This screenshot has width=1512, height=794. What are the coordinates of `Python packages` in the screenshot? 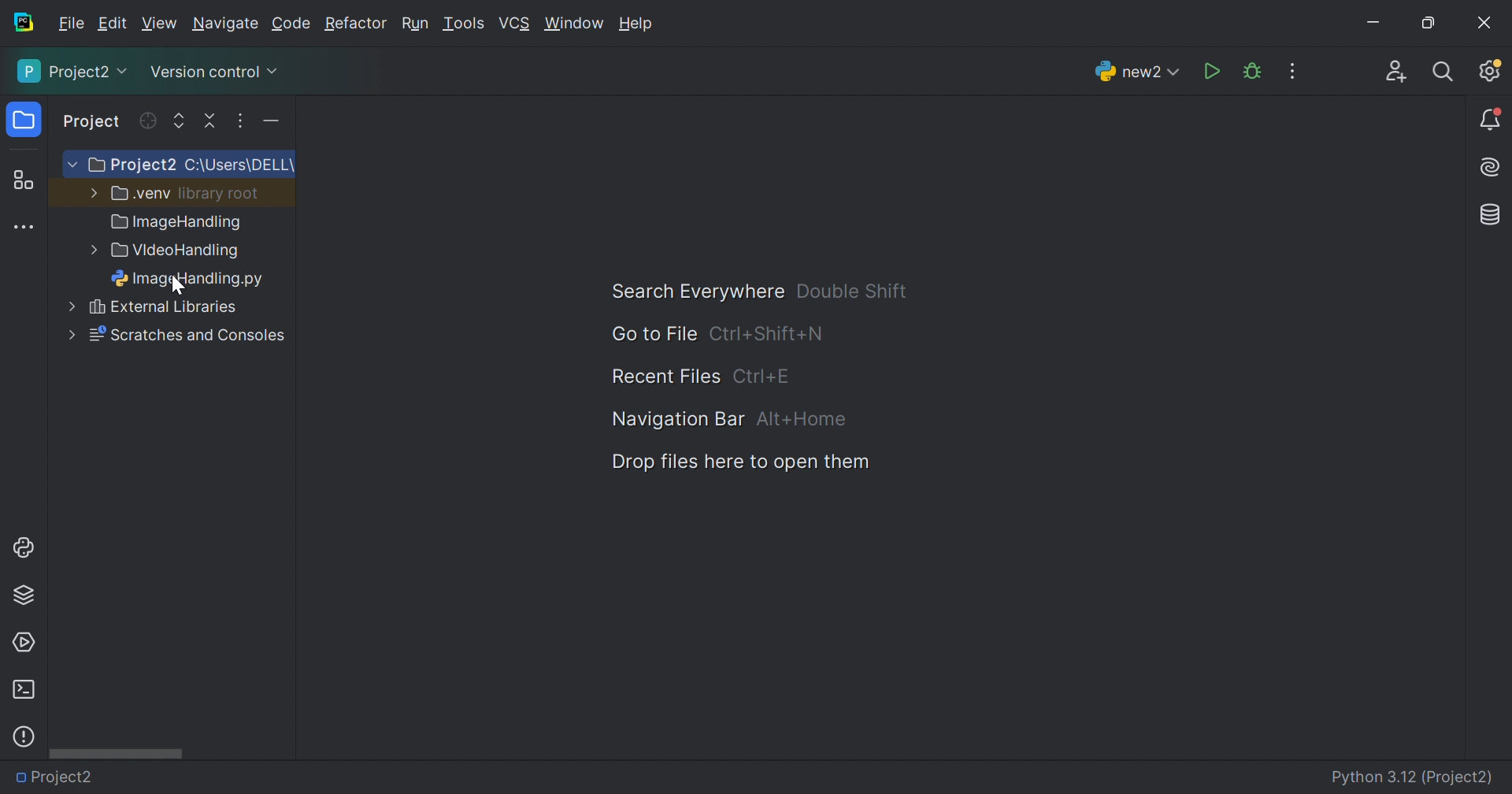 It's located at (24, 594).